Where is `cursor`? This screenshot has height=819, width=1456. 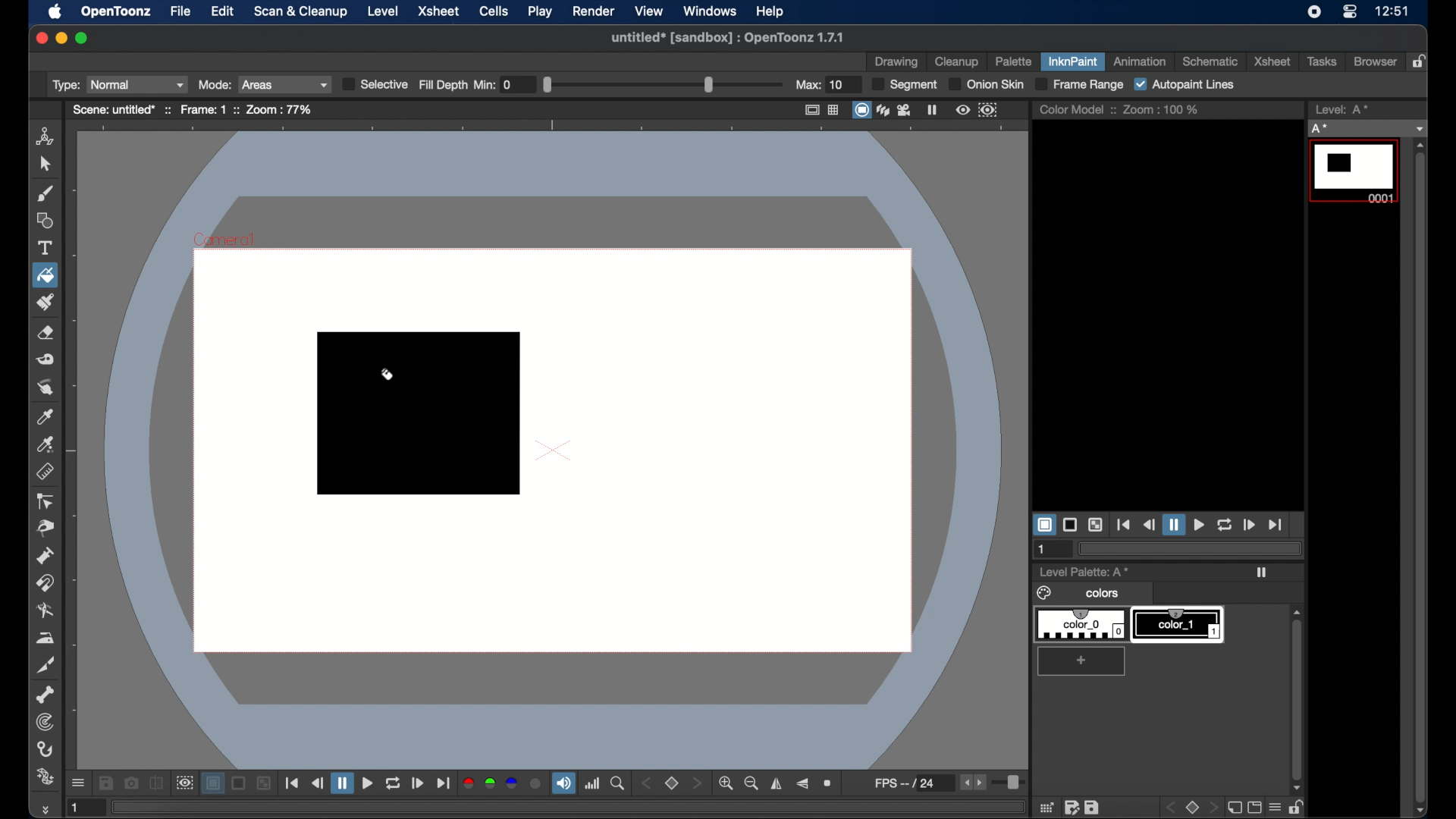 cursor is located at coordinates (58, 287).